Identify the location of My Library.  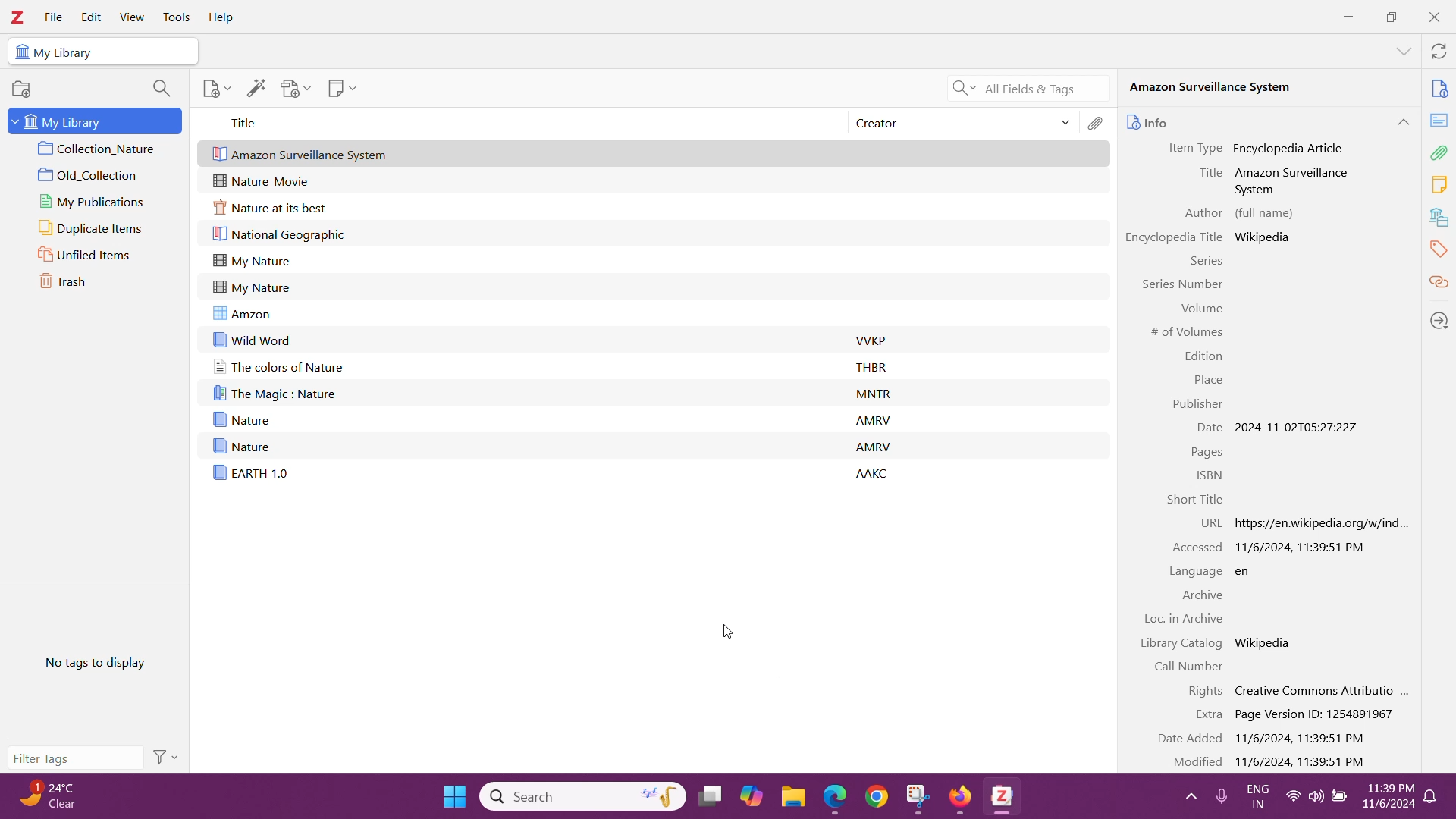
(102, 121).